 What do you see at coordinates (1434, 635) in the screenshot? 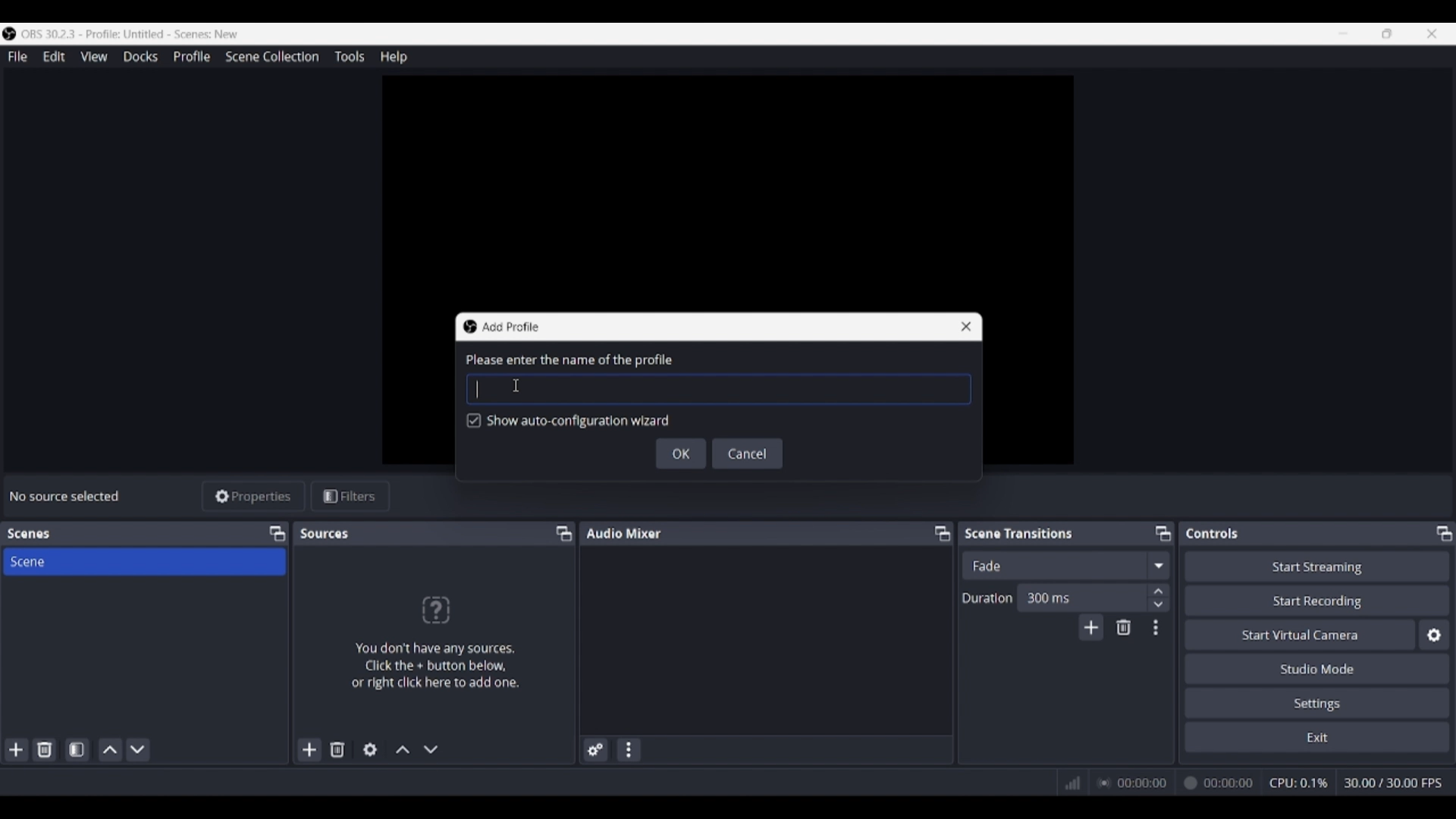
I see `Configure virtual camera` at bounding box center [1434, 635].